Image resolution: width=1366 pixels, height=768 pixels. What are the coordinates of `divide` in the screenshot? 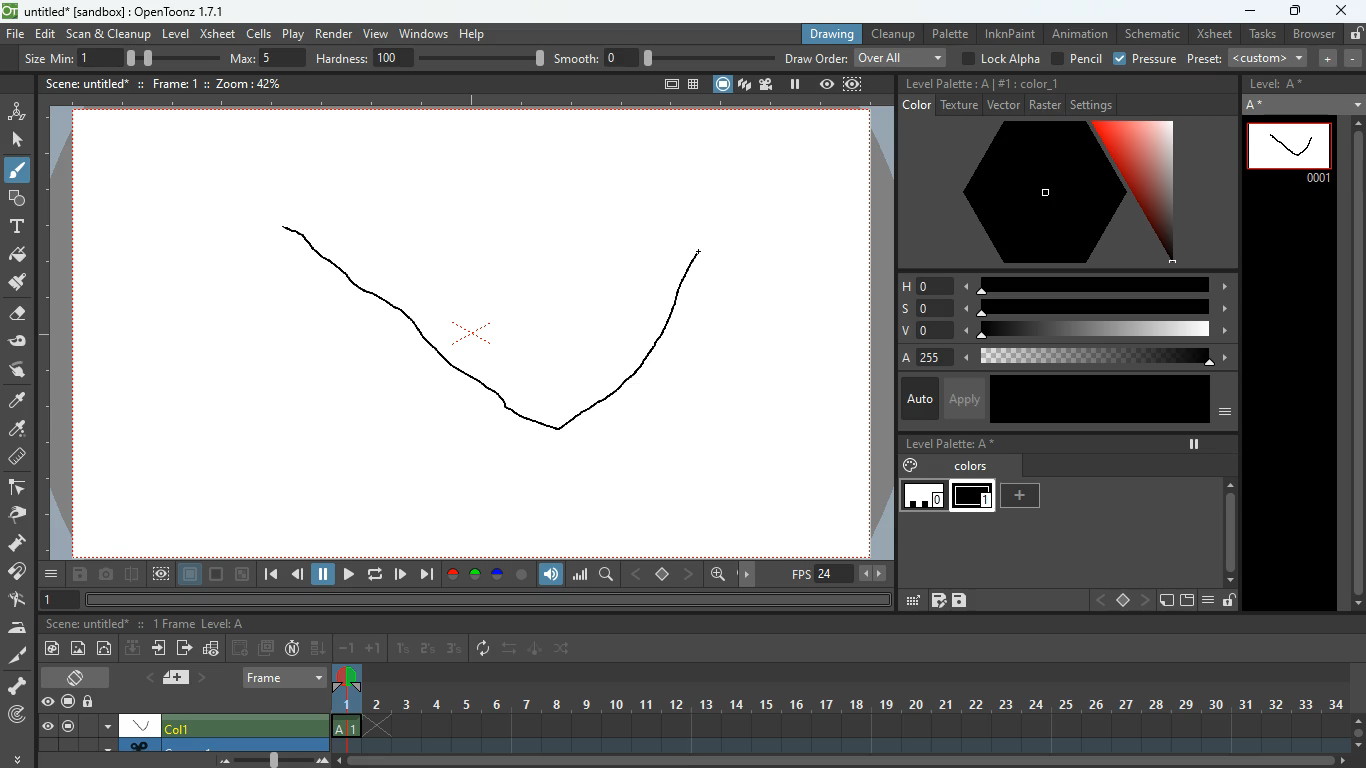 It's located at (133, 577).